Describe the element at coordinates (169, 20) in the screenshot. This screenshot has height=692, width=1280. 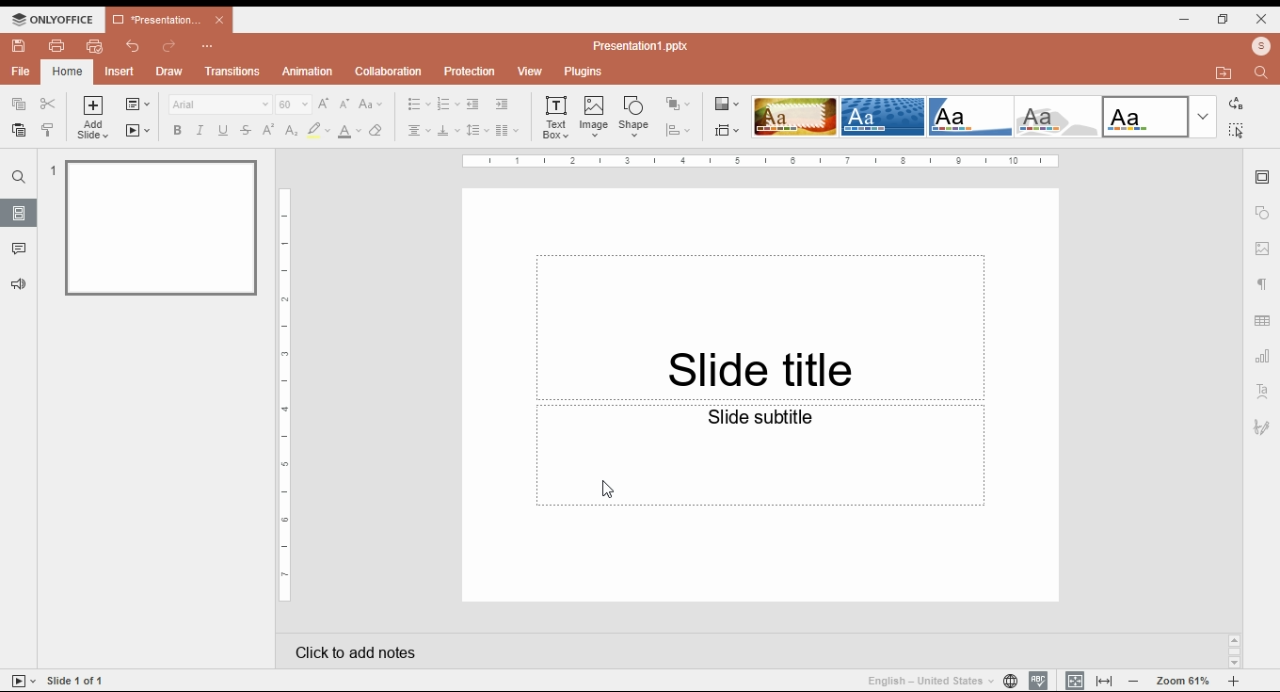
I see `*Presentation1` at that location.